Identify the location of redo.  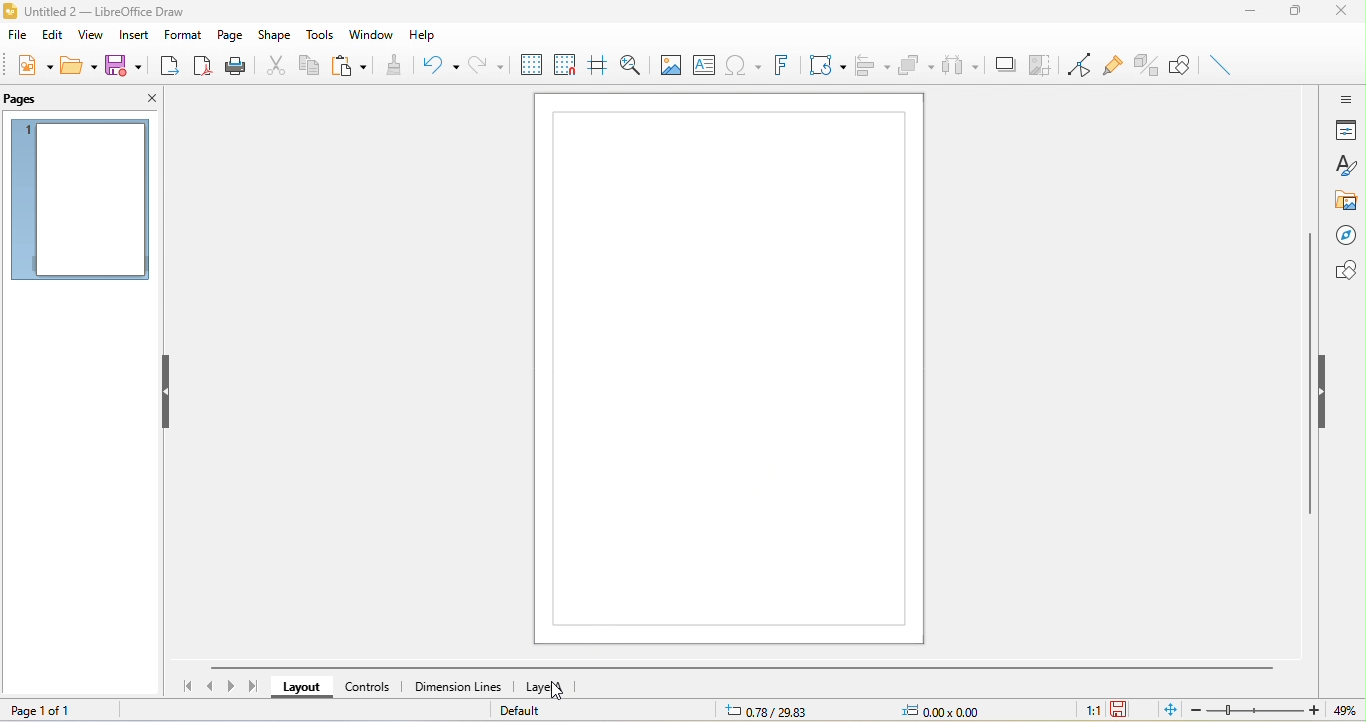
(491, 64).